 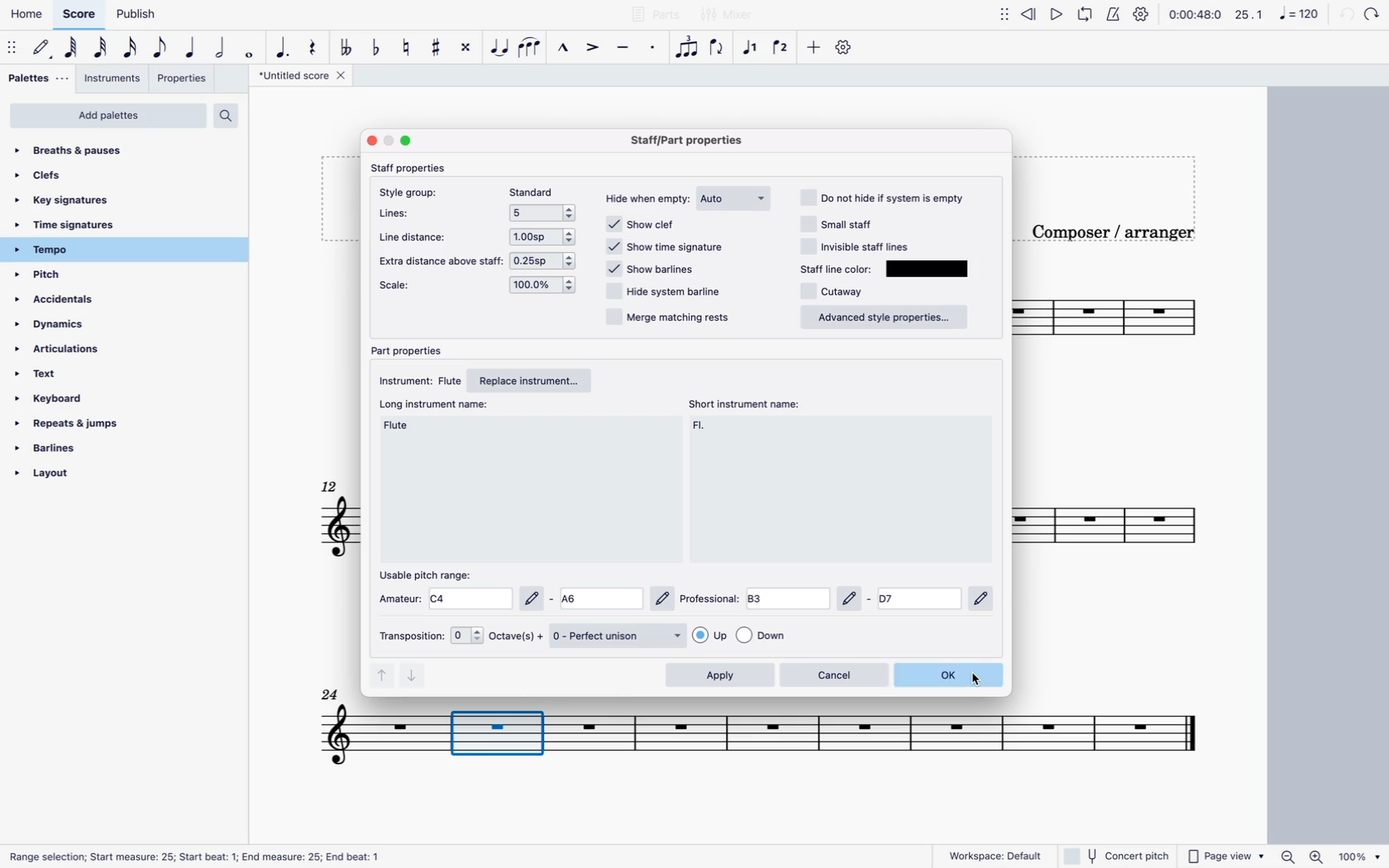 I want to click on cutaway, so click(x=839, y=292).